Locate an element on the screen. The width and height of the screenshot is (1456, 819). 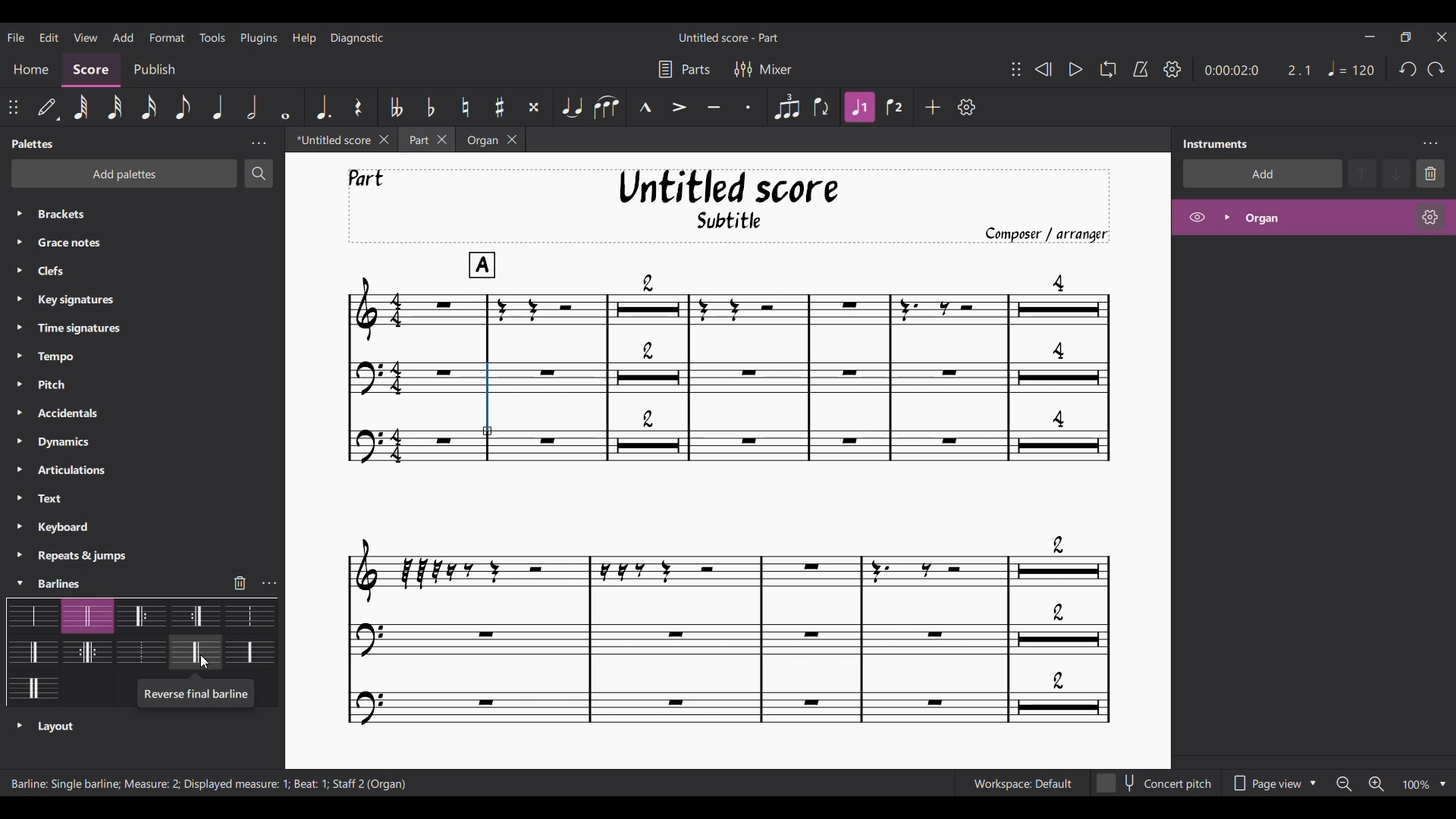
Help menu is located at coordinates (304, 38).